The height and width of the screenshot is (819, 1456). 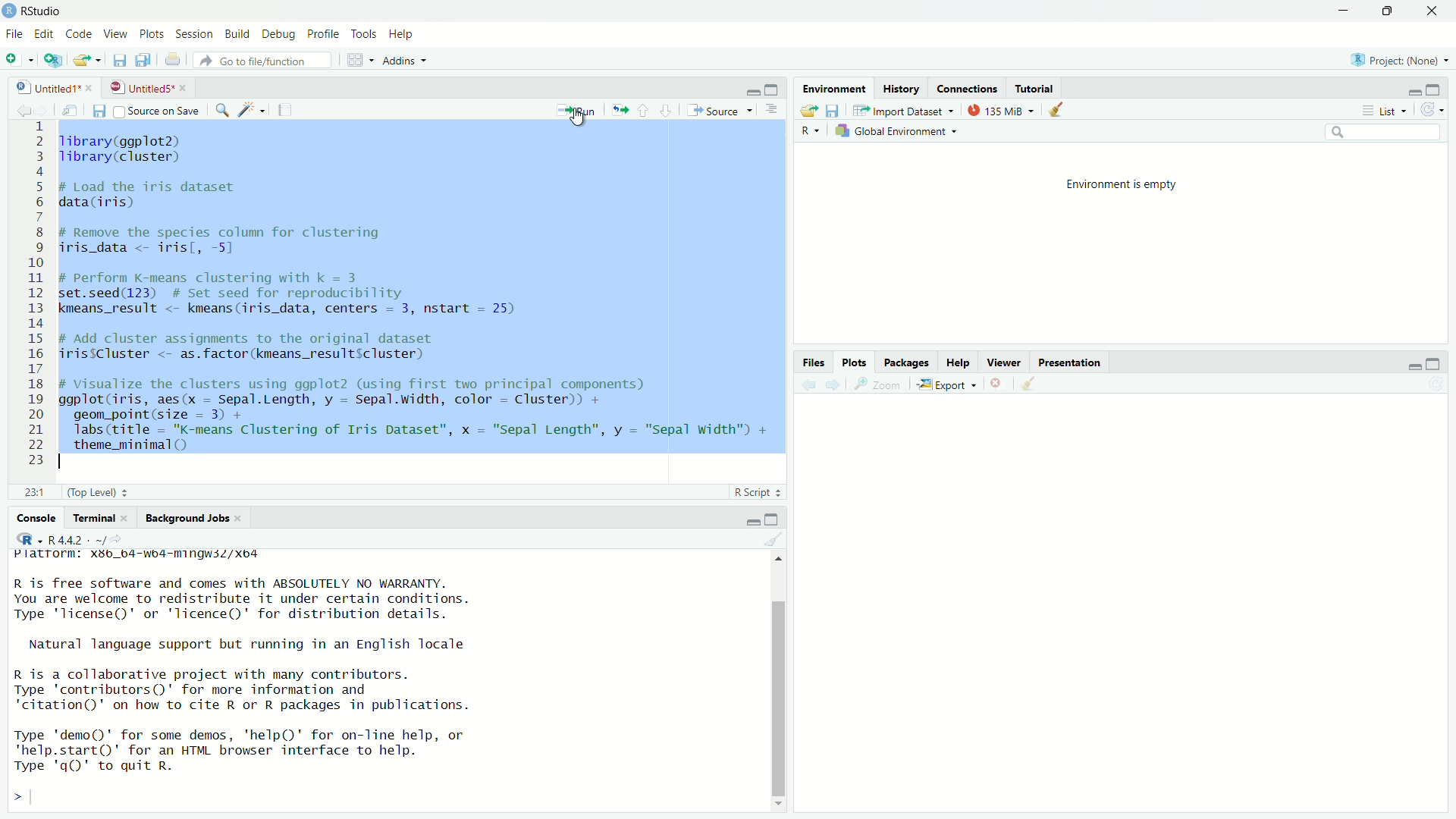 What do you see at coordinates (14, 33) in the screenshot?
I see `file` at bounding box center [14, 33].